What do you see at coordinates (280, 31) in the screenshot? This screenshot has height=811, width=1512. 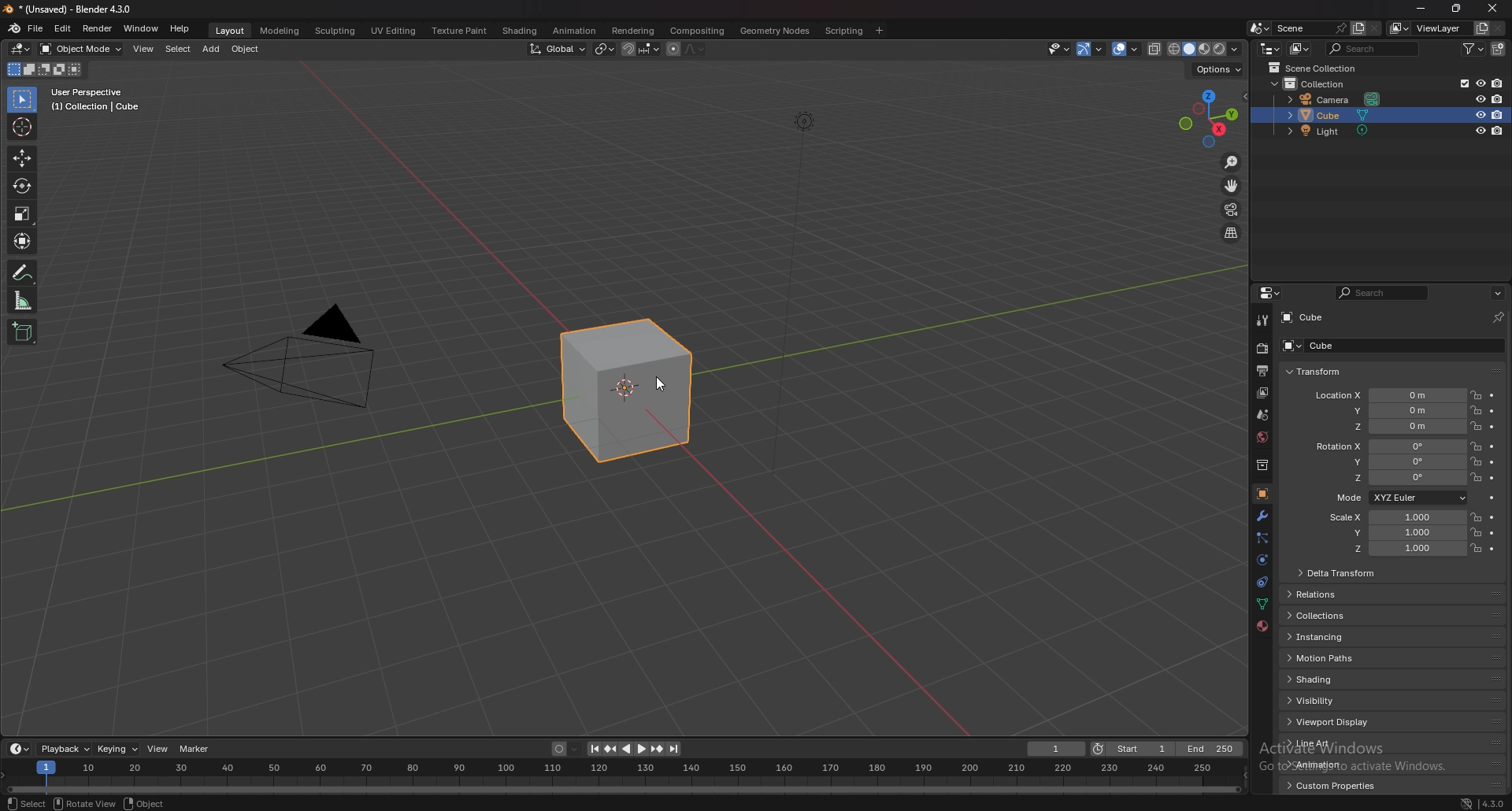 I see `modeling` at bounding box center [280, 31].